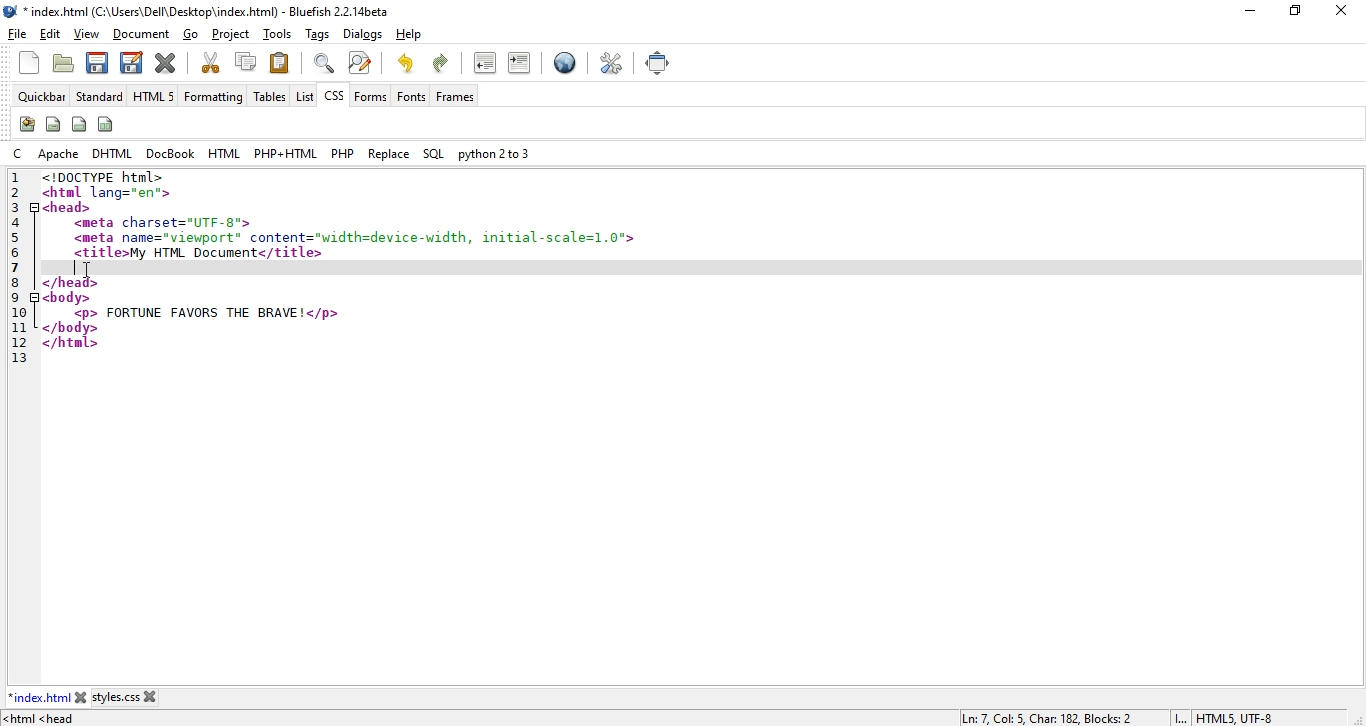  Describe the element at coordinates (141, 35) in the screenshot. I see `document` at that location.